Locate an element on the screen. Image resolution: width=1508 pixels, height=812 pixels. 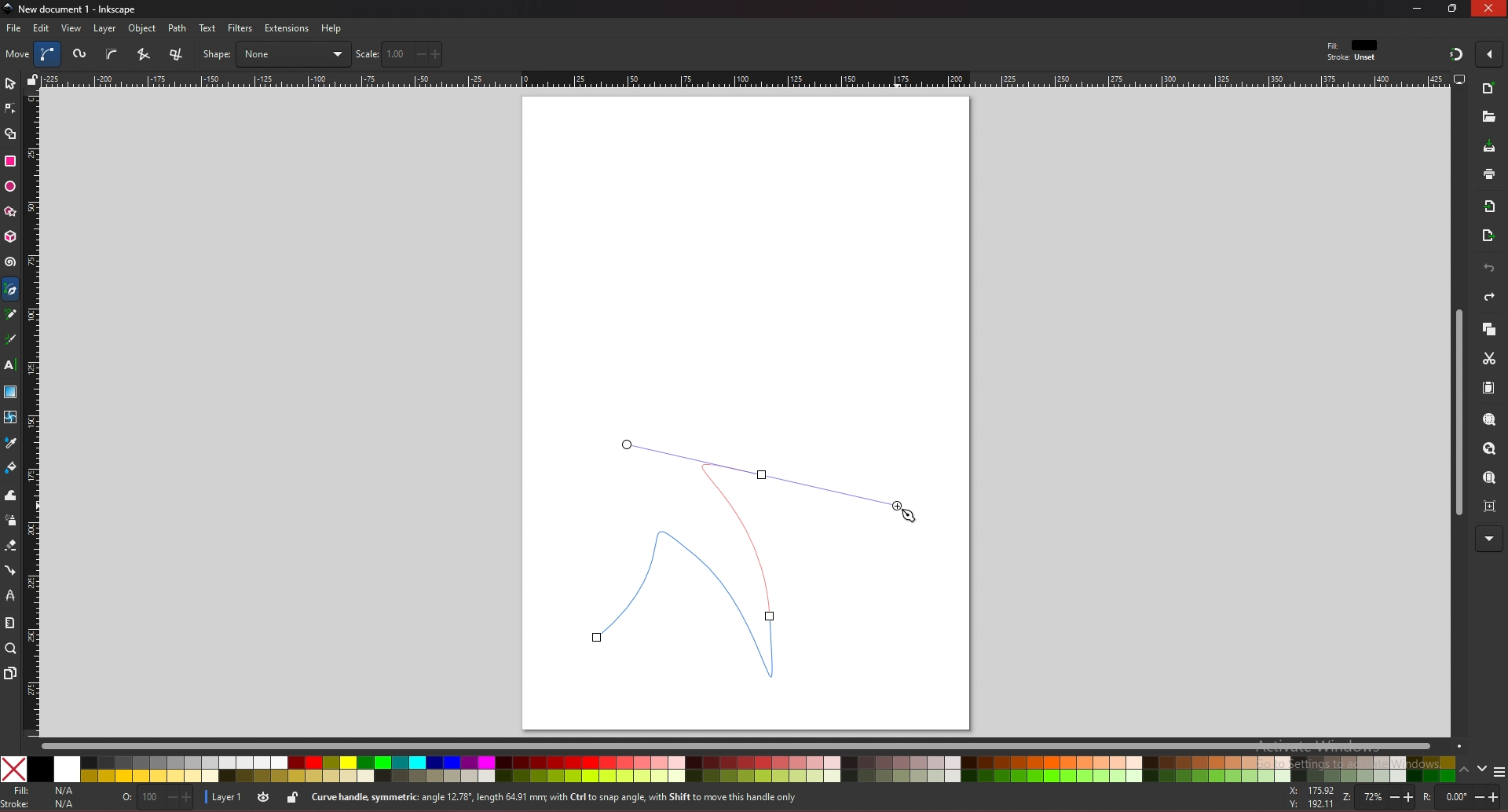
edit is located at coordinates (42, 27).